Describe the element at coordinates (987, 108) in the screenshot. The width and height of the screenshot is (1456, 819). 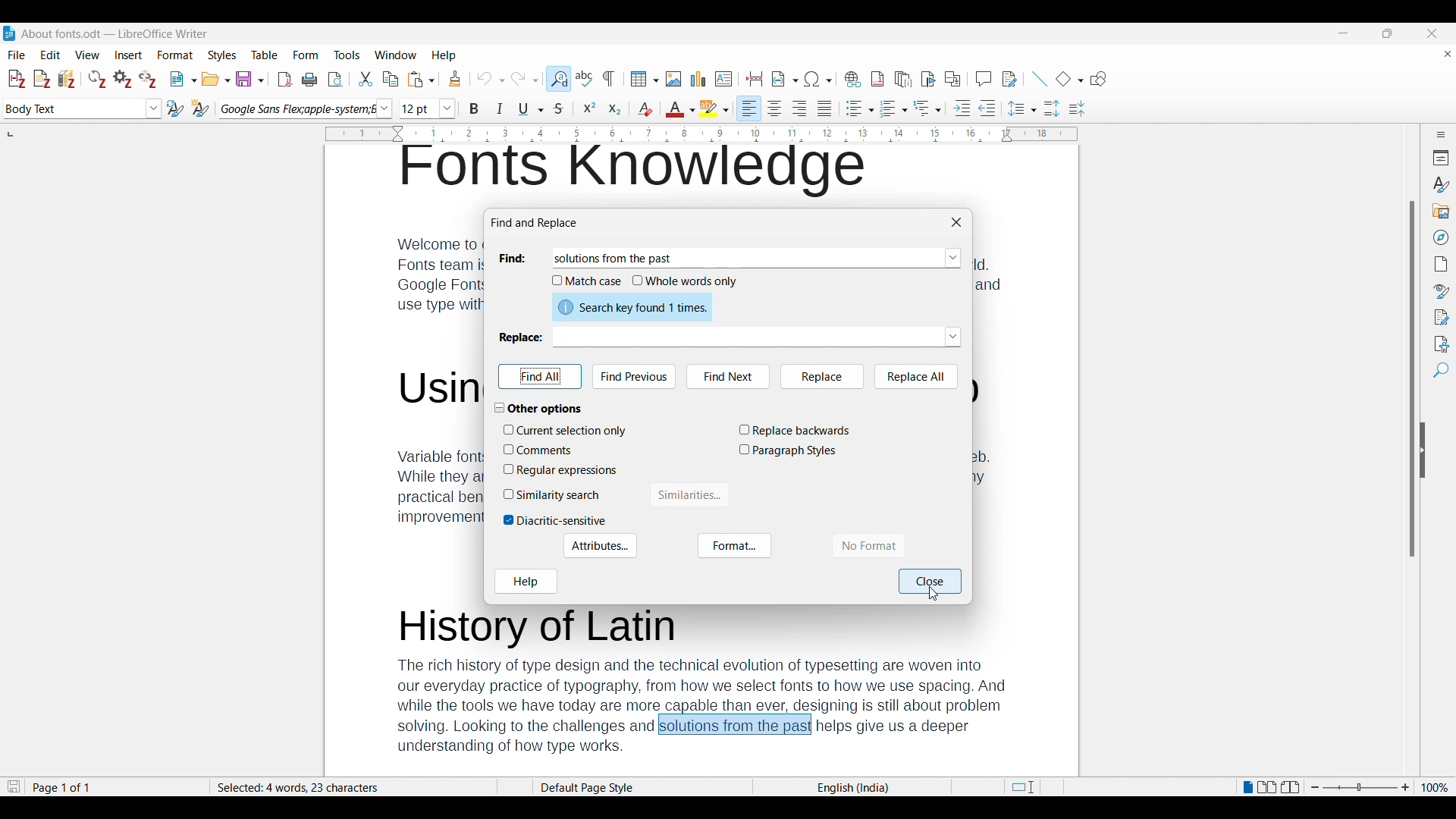
I see `Decrease indent` at that location.